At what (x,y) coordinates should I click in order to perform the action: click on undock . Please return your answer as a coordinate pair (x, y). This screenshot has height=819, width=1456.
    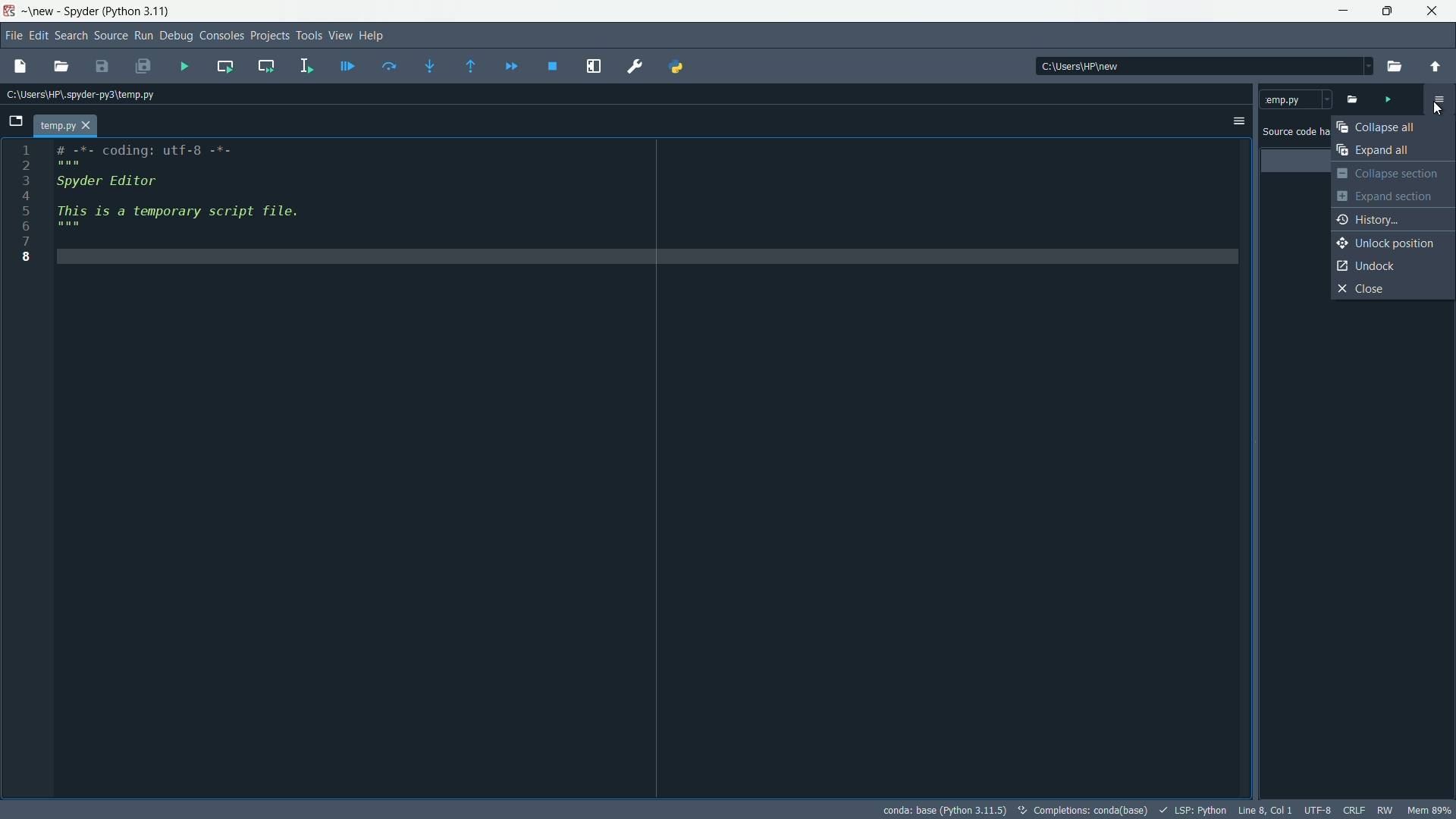
    Looking at the image, I should click on (1392, 266).